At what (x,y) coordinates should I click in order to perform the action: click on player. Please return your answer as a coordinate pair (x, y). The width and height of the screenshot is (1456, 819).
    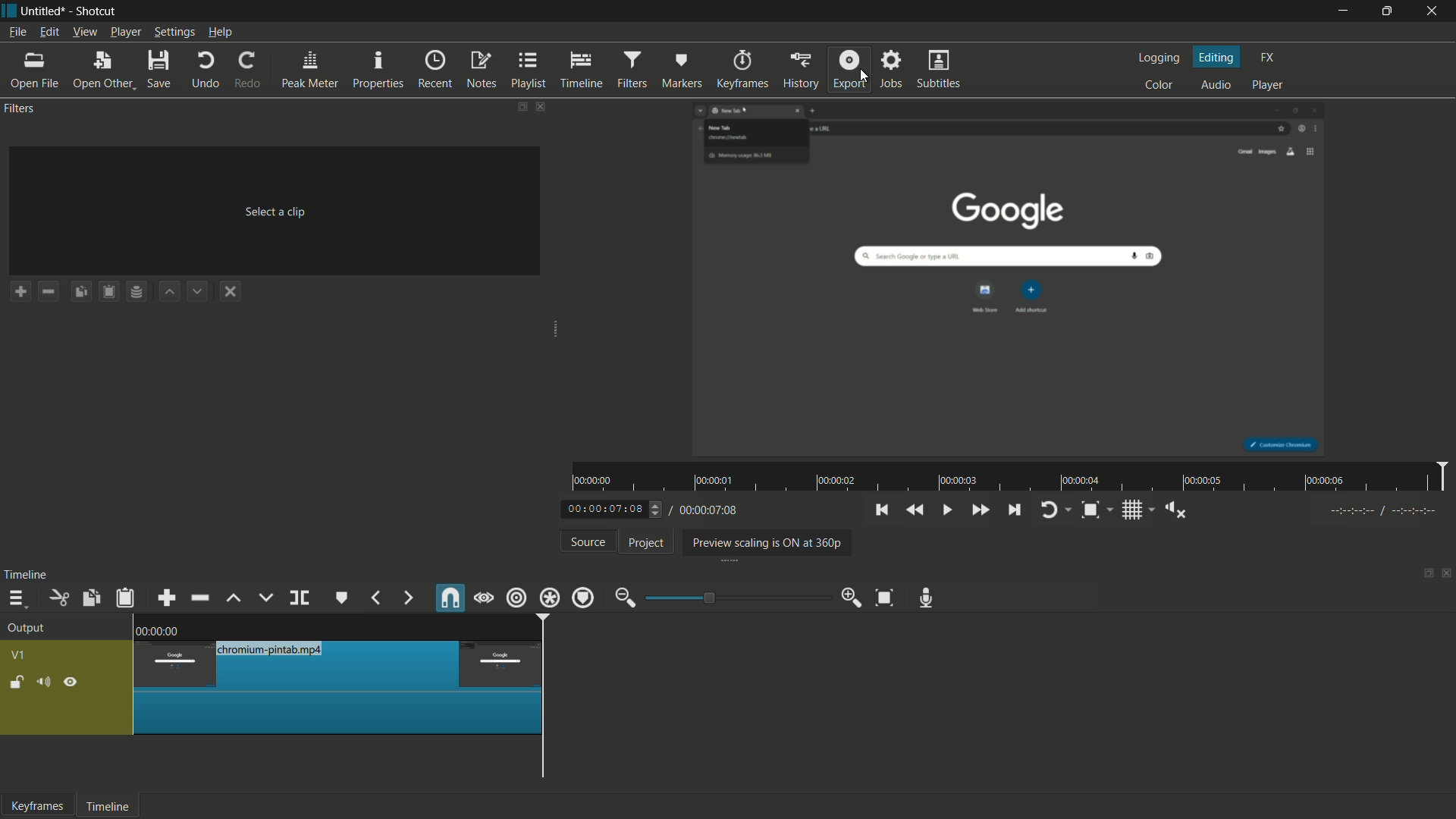
    Looking at the image, I should click on (1268, 83).